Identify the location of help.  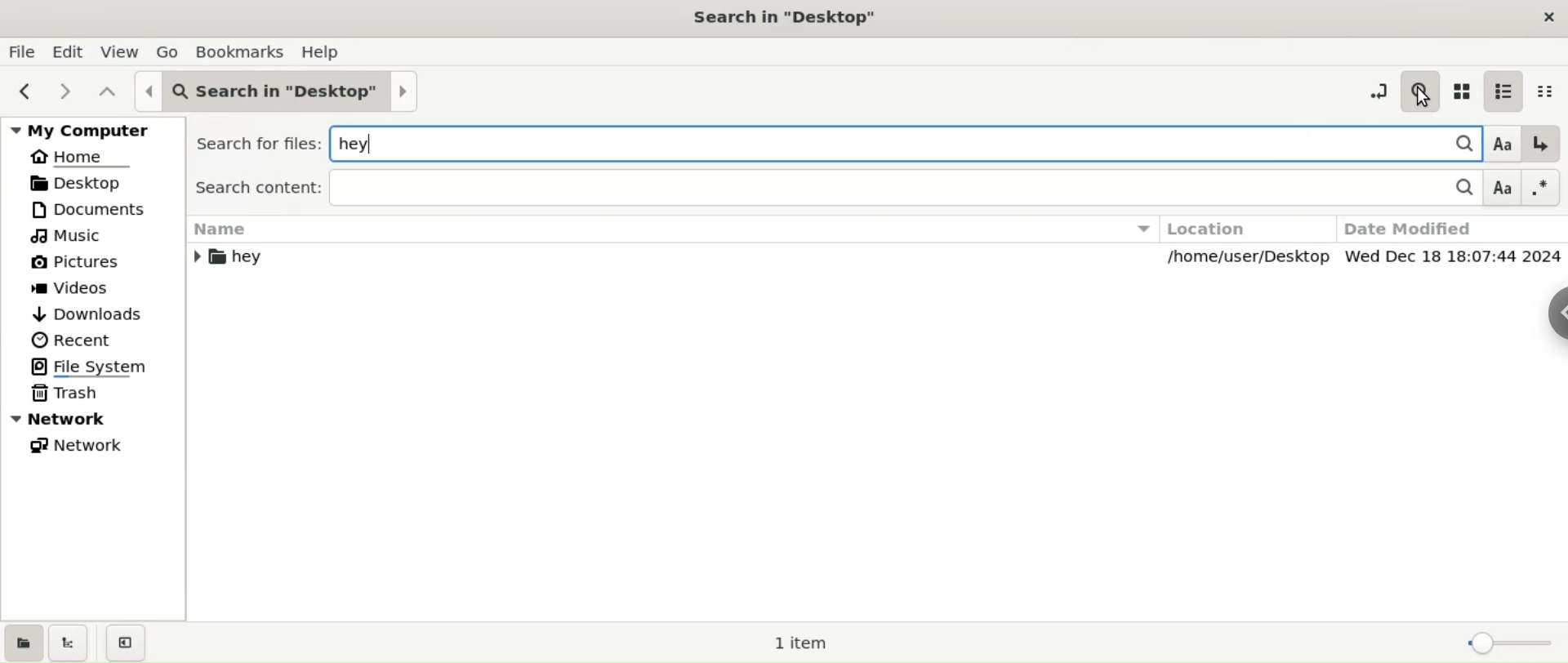
(325, 52).